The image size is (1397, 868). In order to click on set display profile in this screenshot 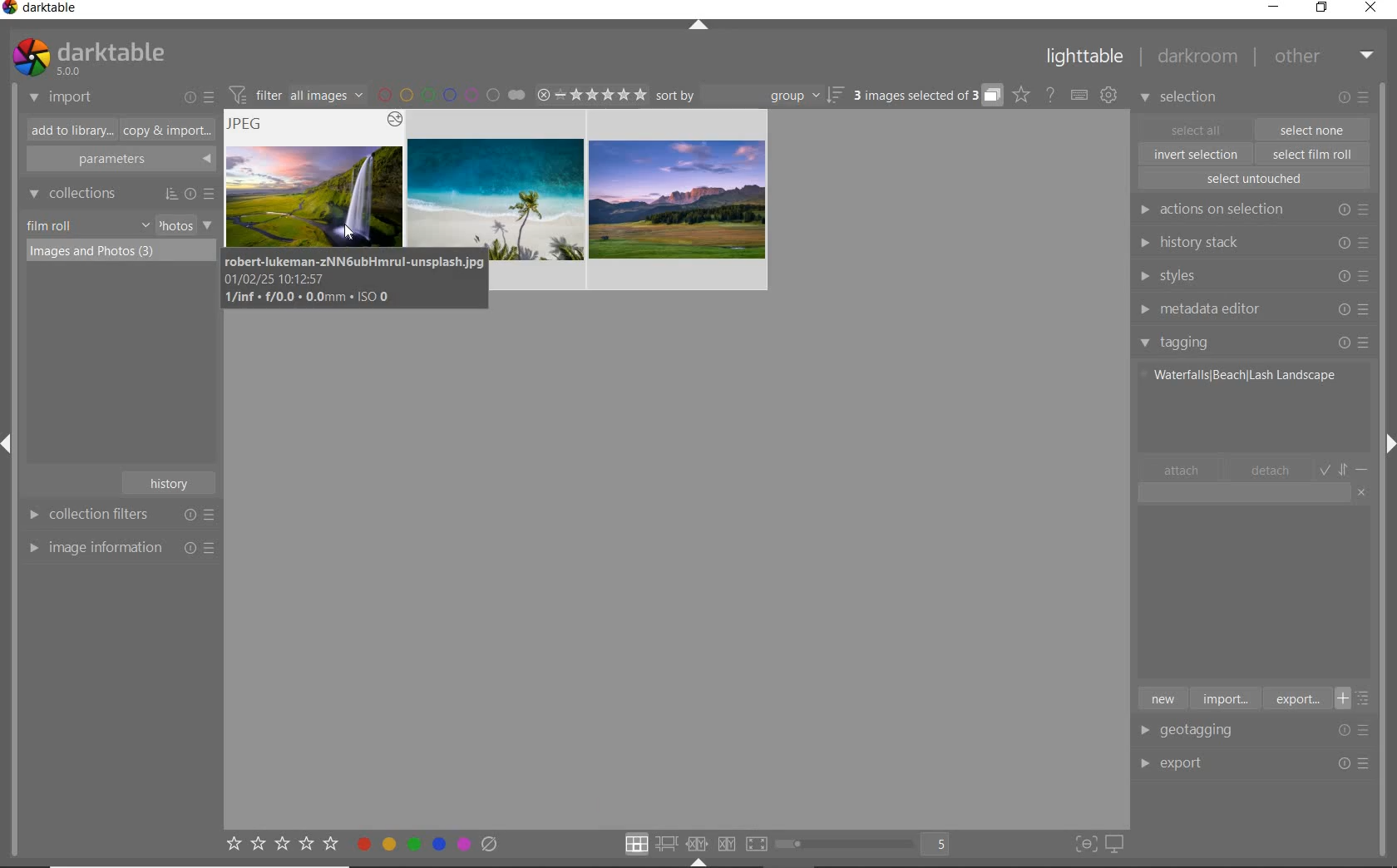, I will do `click(1114, 845)`.